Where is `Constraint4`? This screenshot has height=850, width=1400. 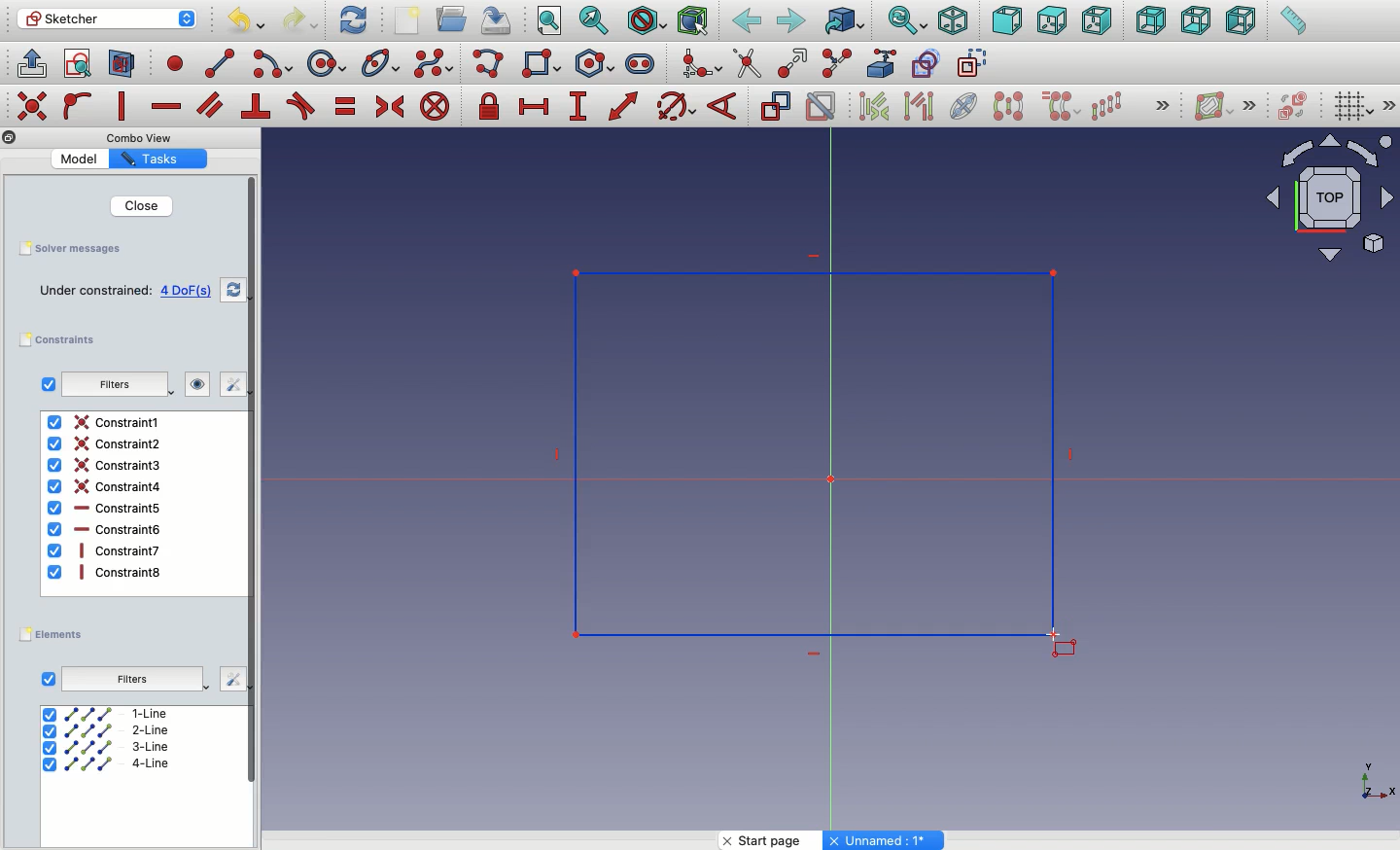 Constraint4 is located at coordinates (106, 486).